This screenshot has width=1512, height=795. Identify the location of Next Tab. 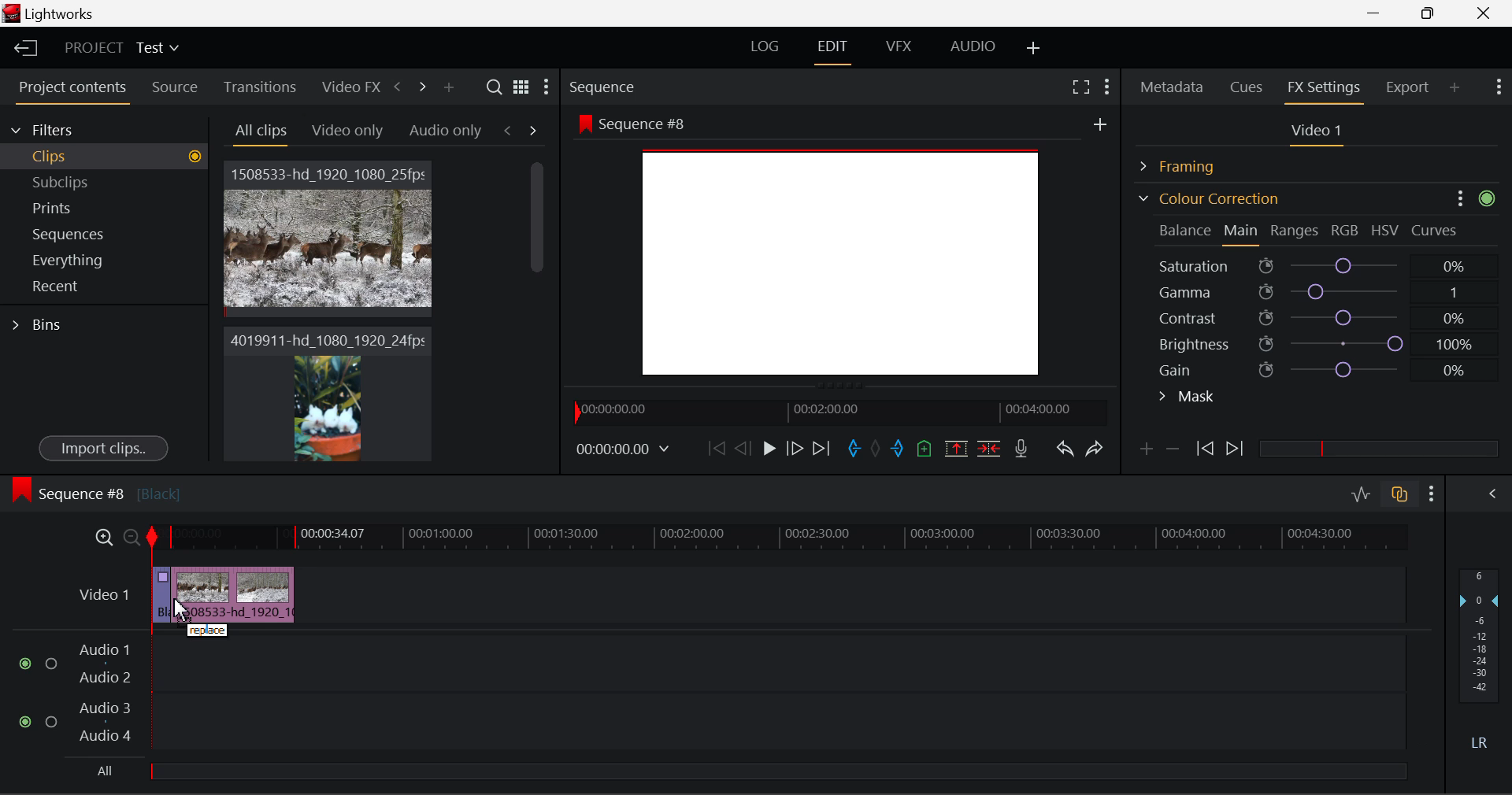
(534, 129).